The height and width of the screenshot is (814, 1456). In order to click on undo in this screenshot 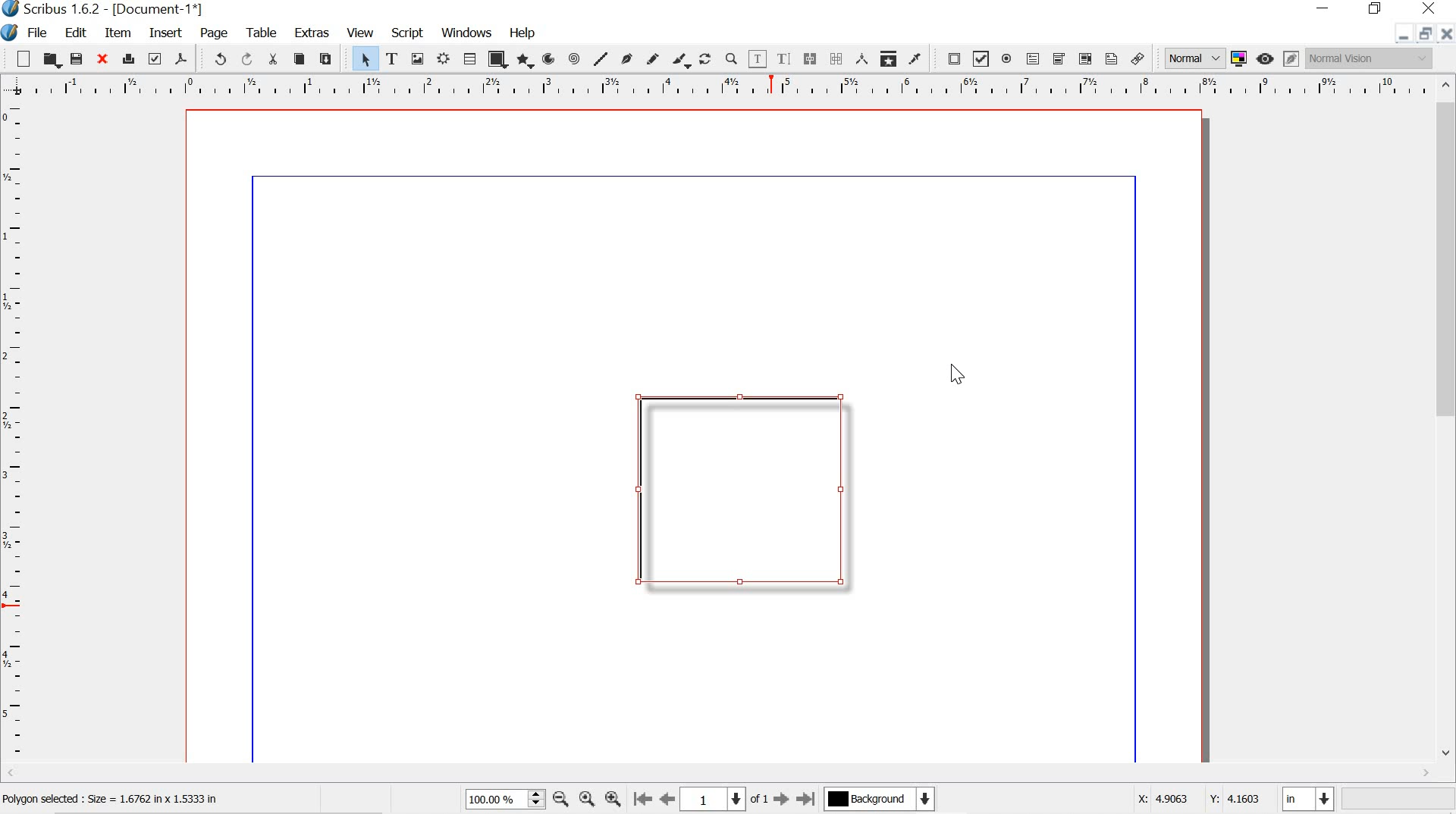, I will do `click(214, 58)`.